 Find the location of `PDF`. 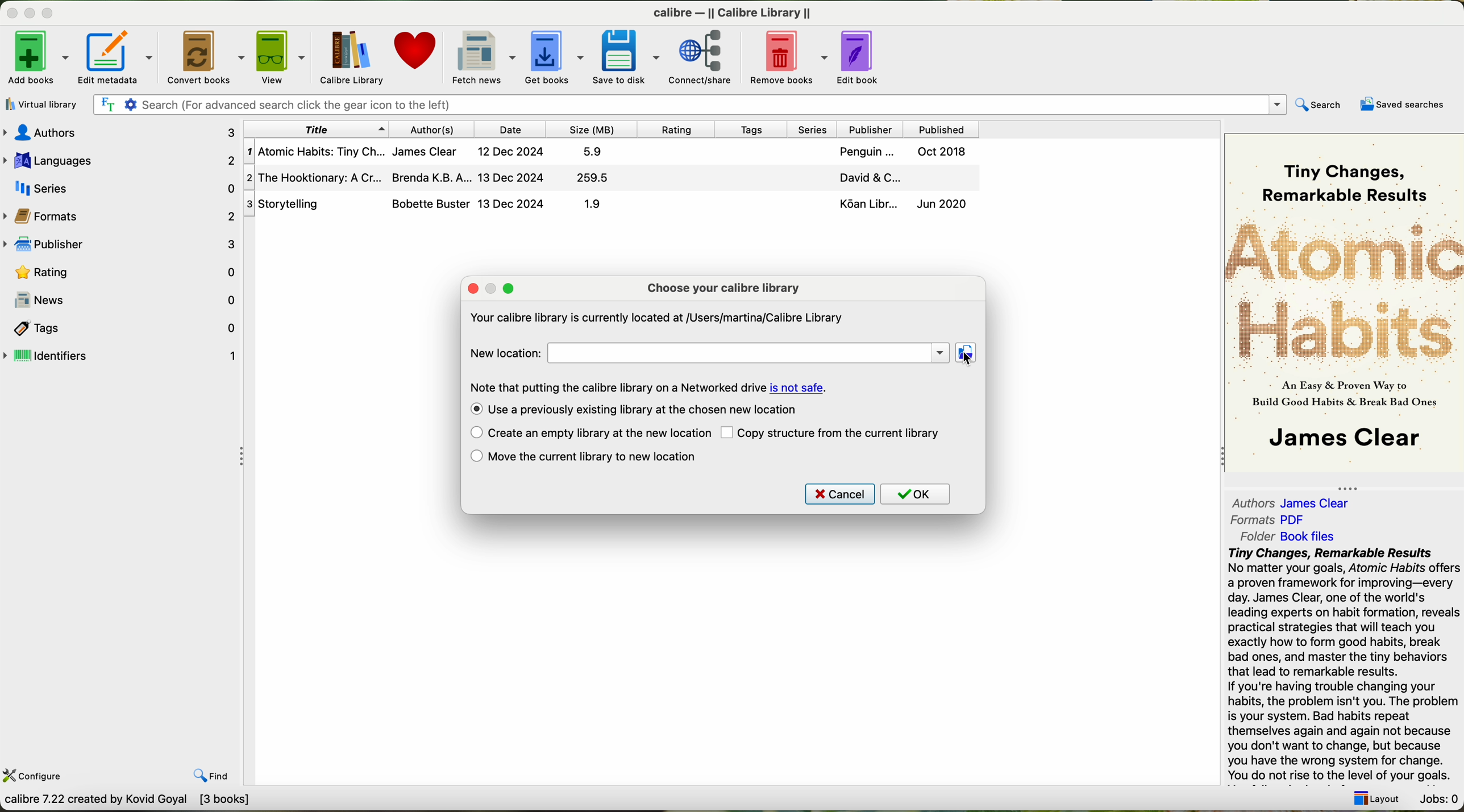

PDF is located at coordinates (1299, 519).